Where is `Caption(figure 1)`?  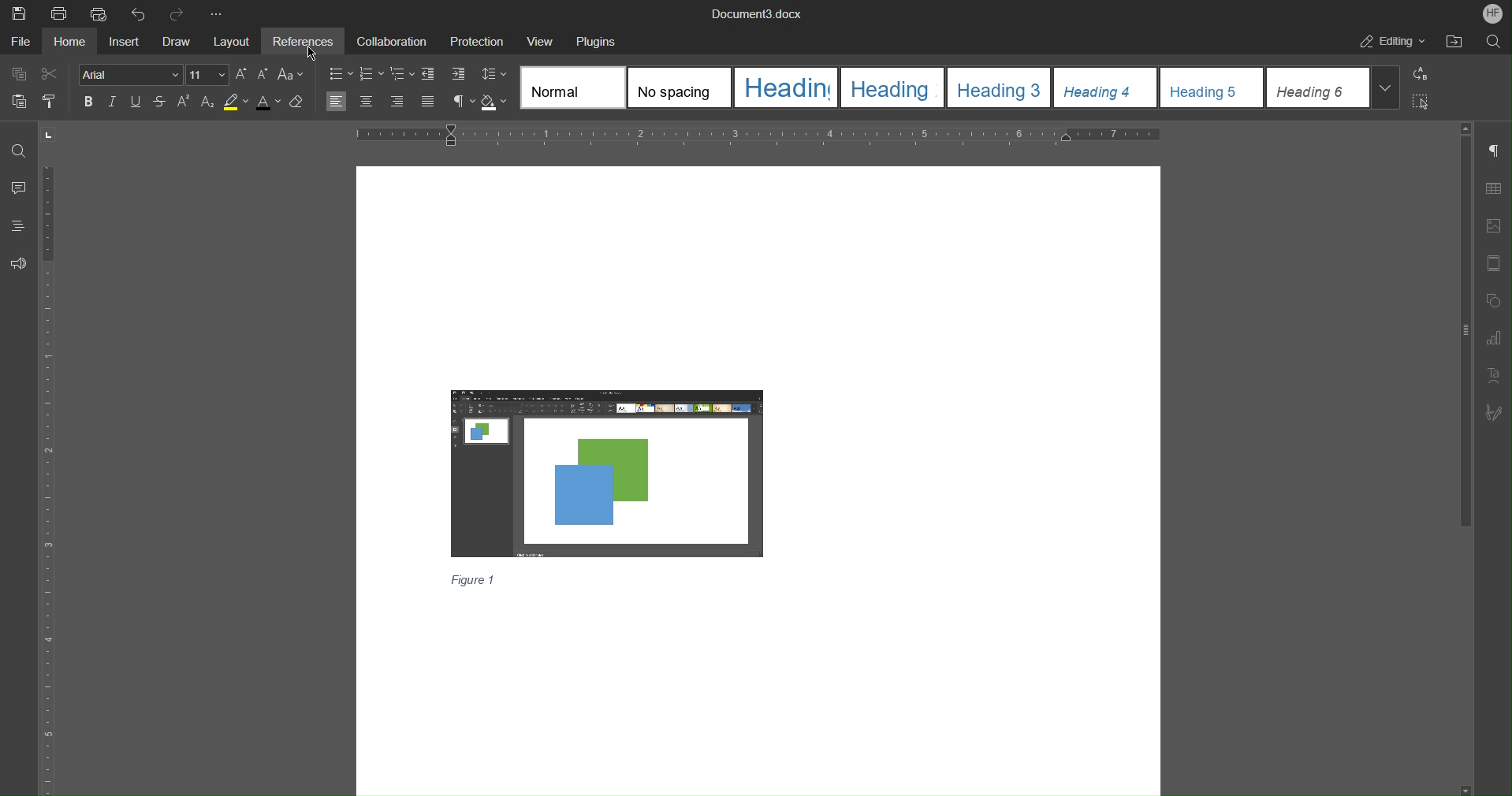 Caption(figure 1) is located at coordinates (476, 582).